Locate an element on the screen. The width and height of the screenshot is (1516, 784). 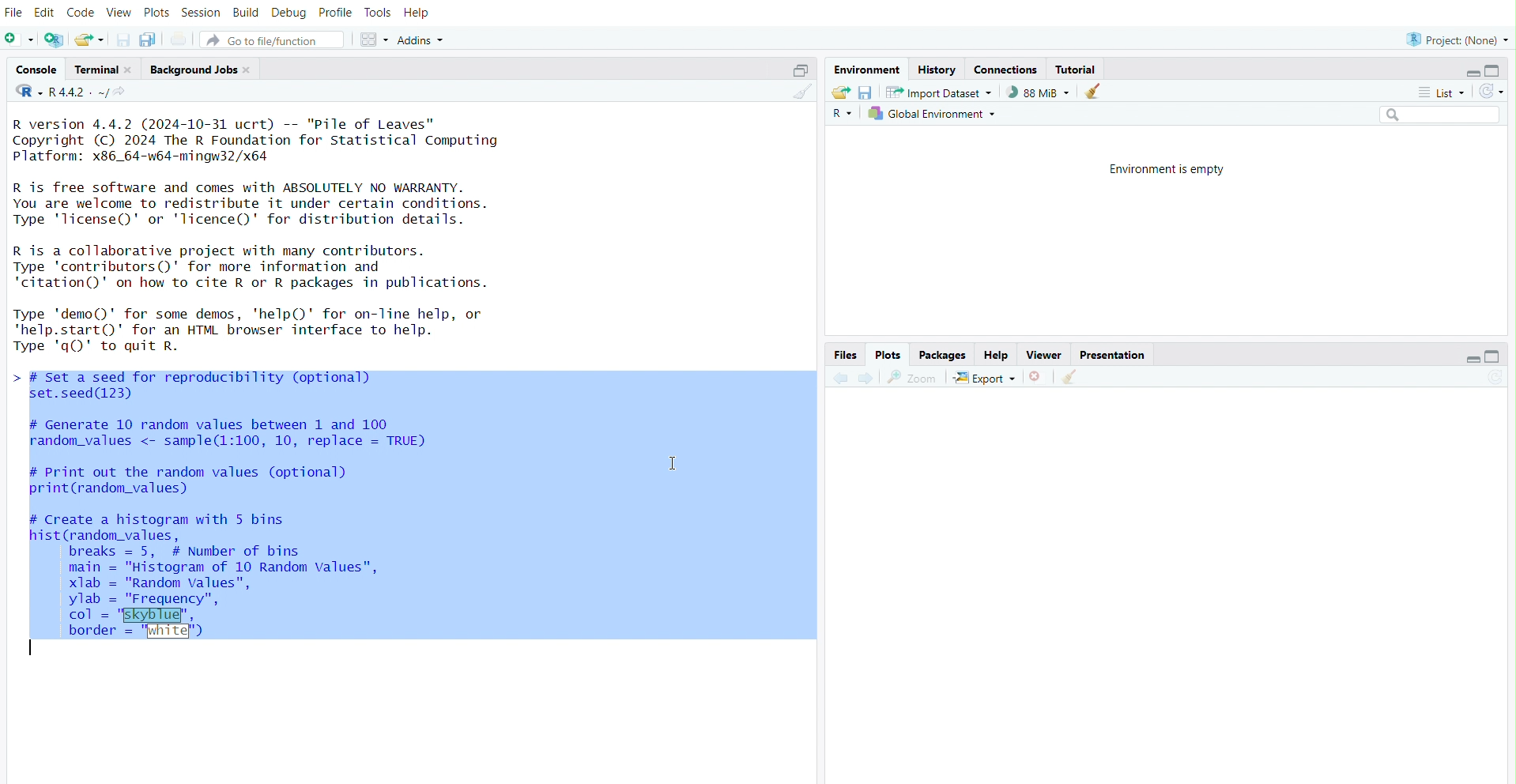
new file is located at coordinates (19, 40).